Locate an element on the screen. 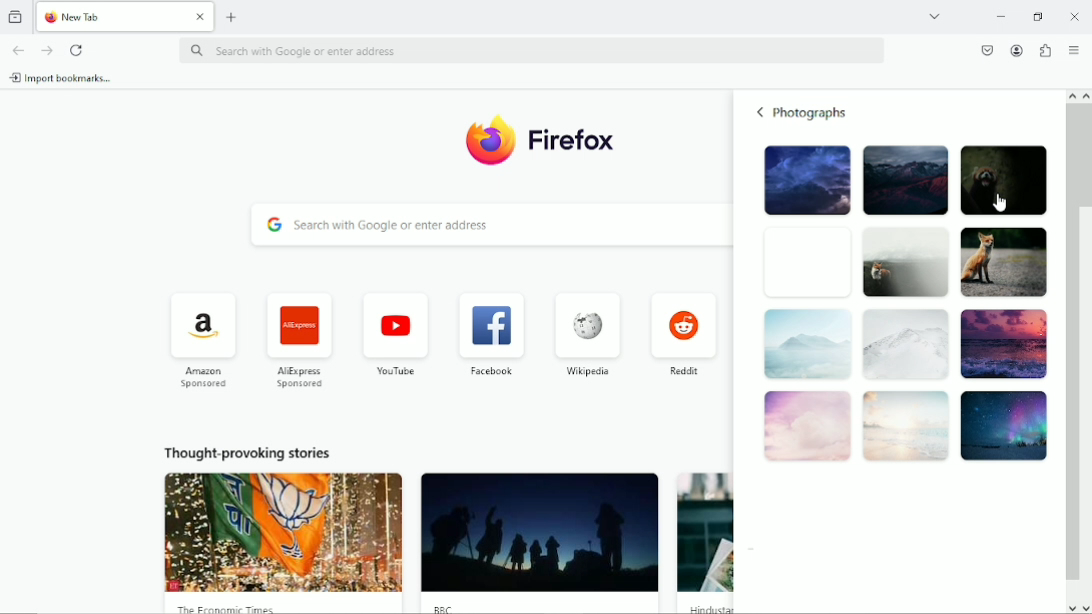 This screenshot has width=1092, height=614. scroll down is located at coordinates (1071, 608).